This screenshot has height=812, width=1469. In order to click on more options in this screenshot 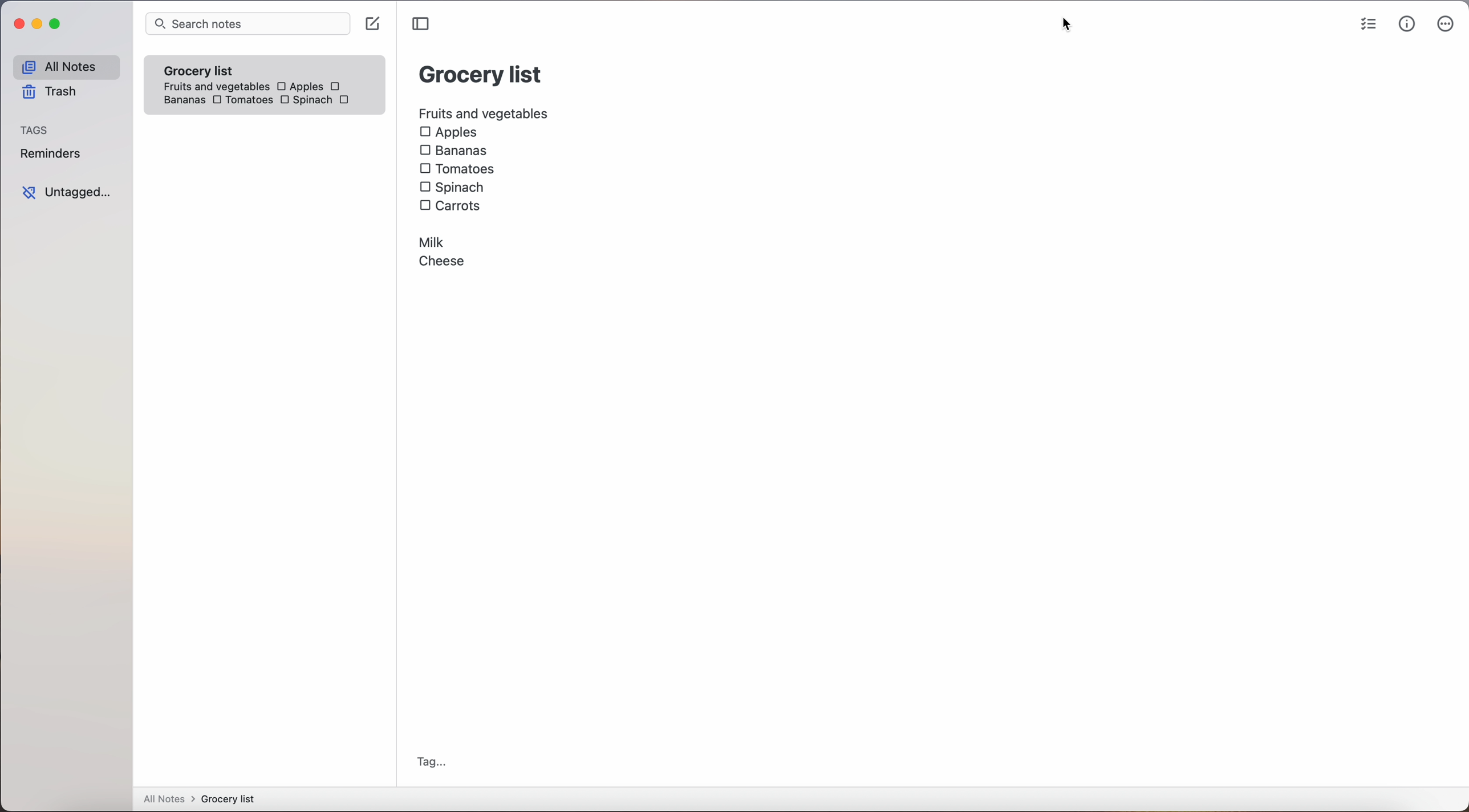, I will do `click(1445, 25)`.